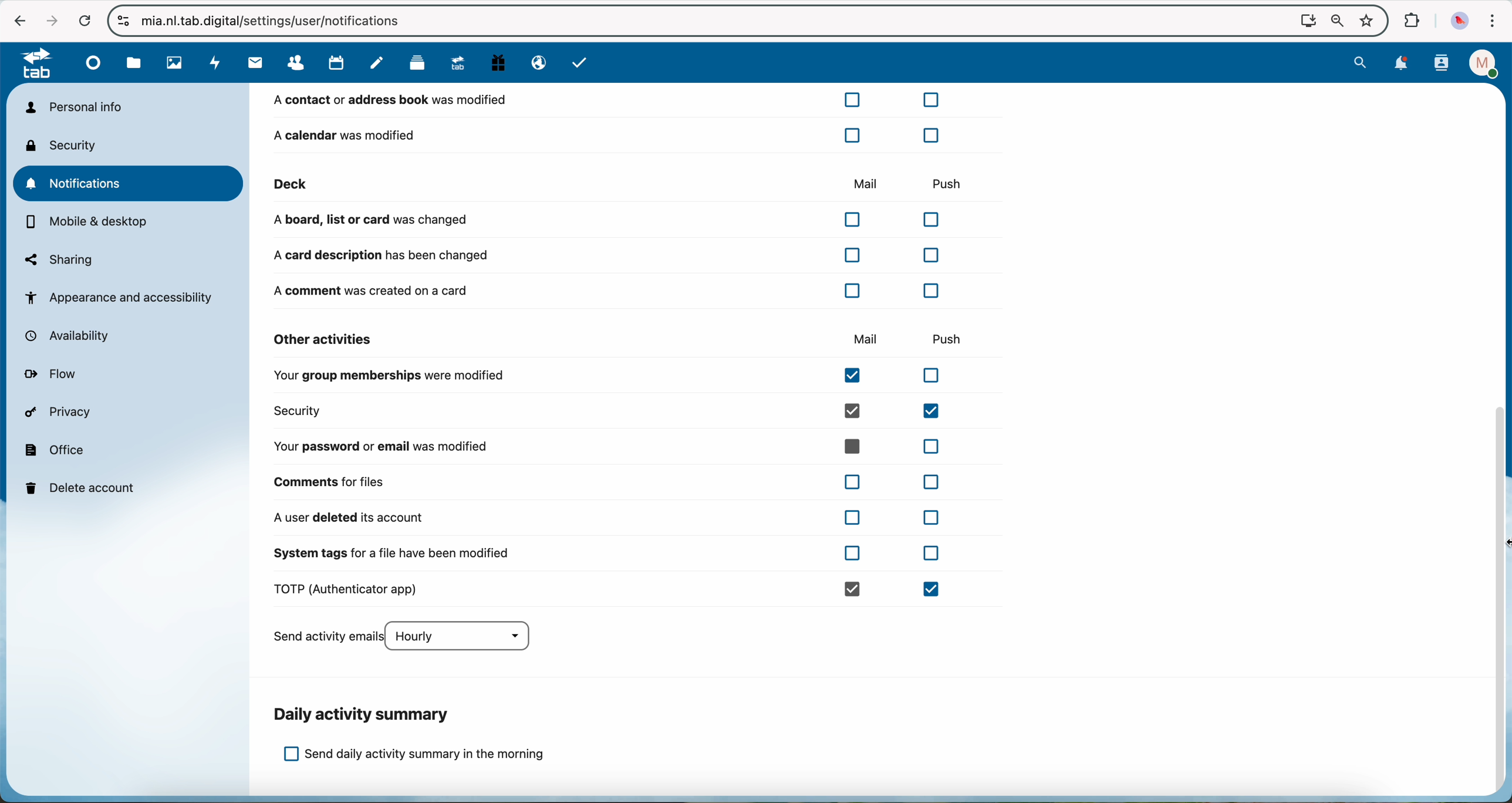  Describe the element at coordinates (866, 340) in the screenshot. I see `mail` at that location.